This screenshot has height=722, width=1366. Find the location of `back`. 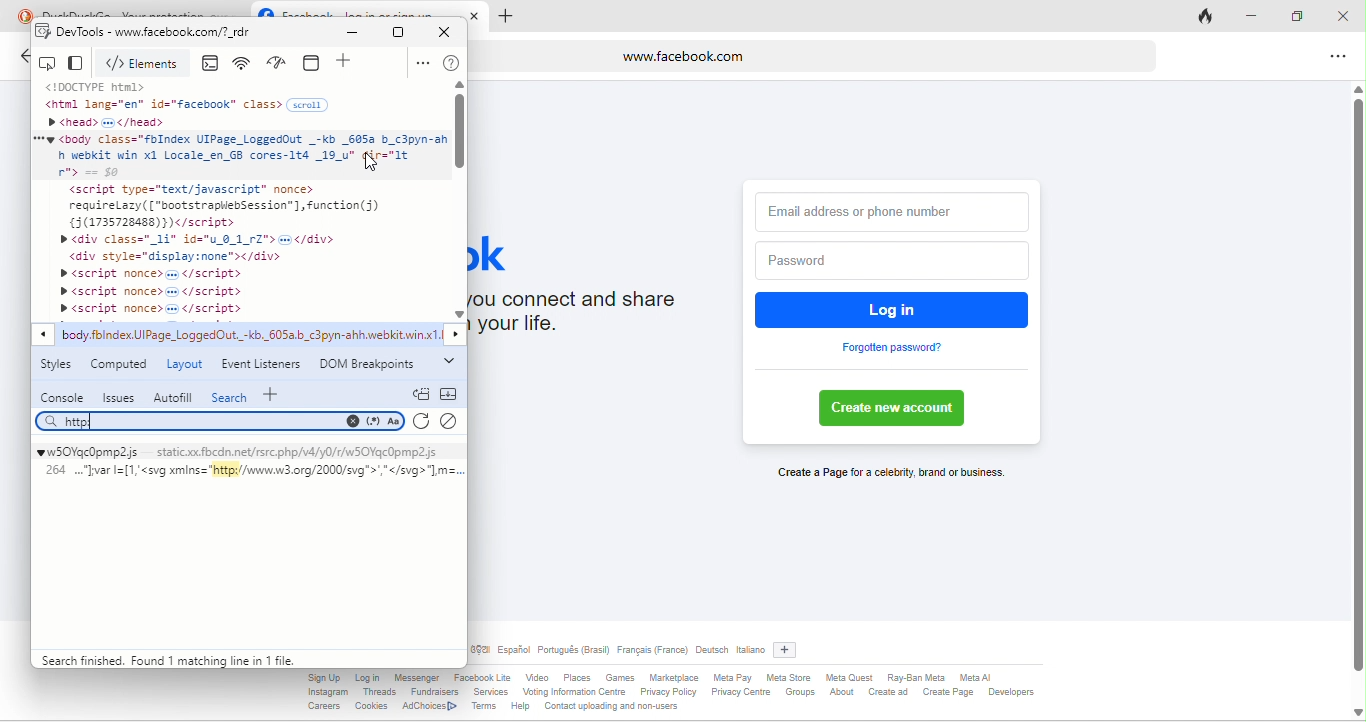

back is located at coordinates (22, 59).